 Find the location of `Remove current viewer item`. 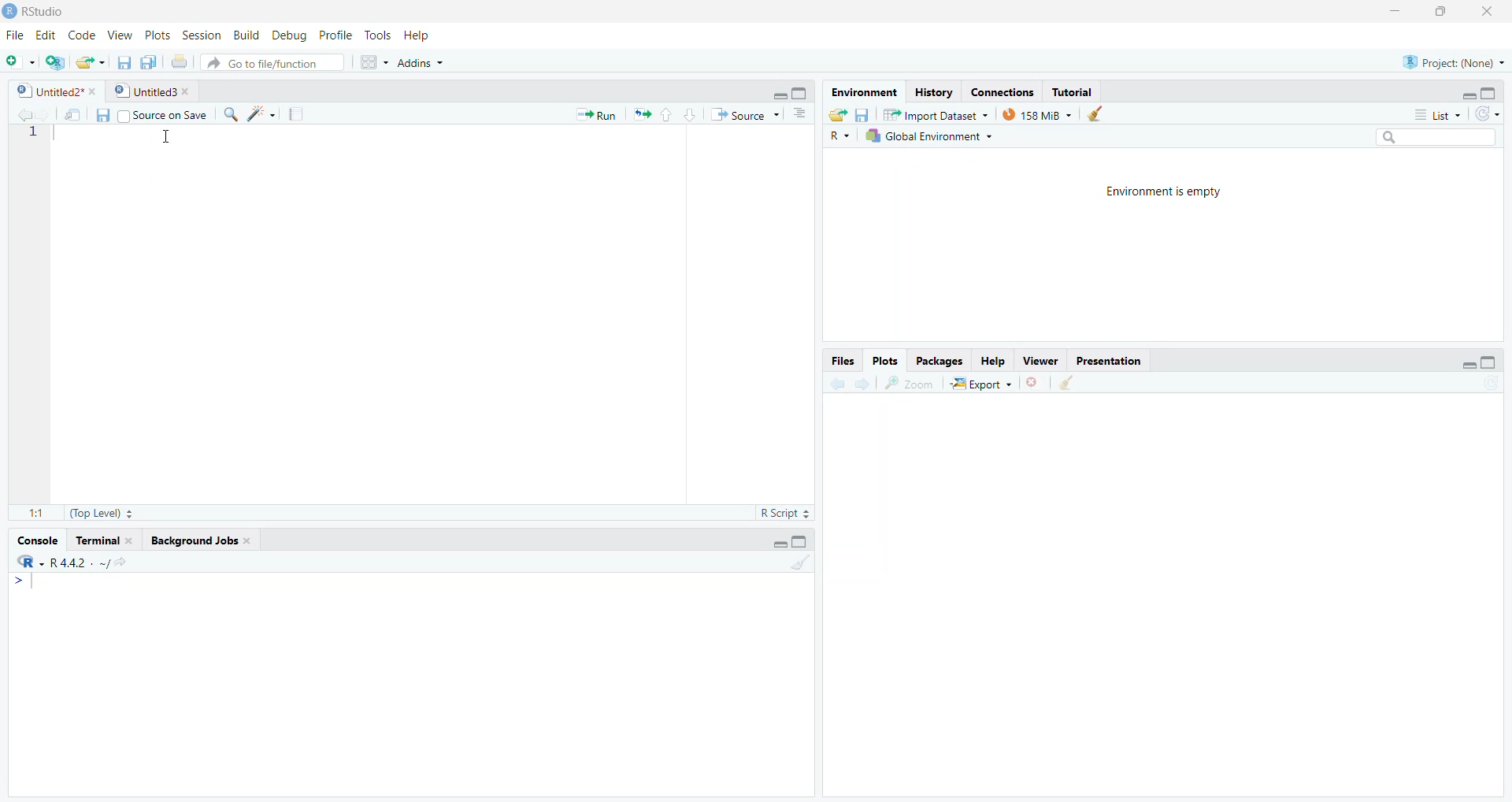

Remove current viewer item is located at coordinates (1034, 387).